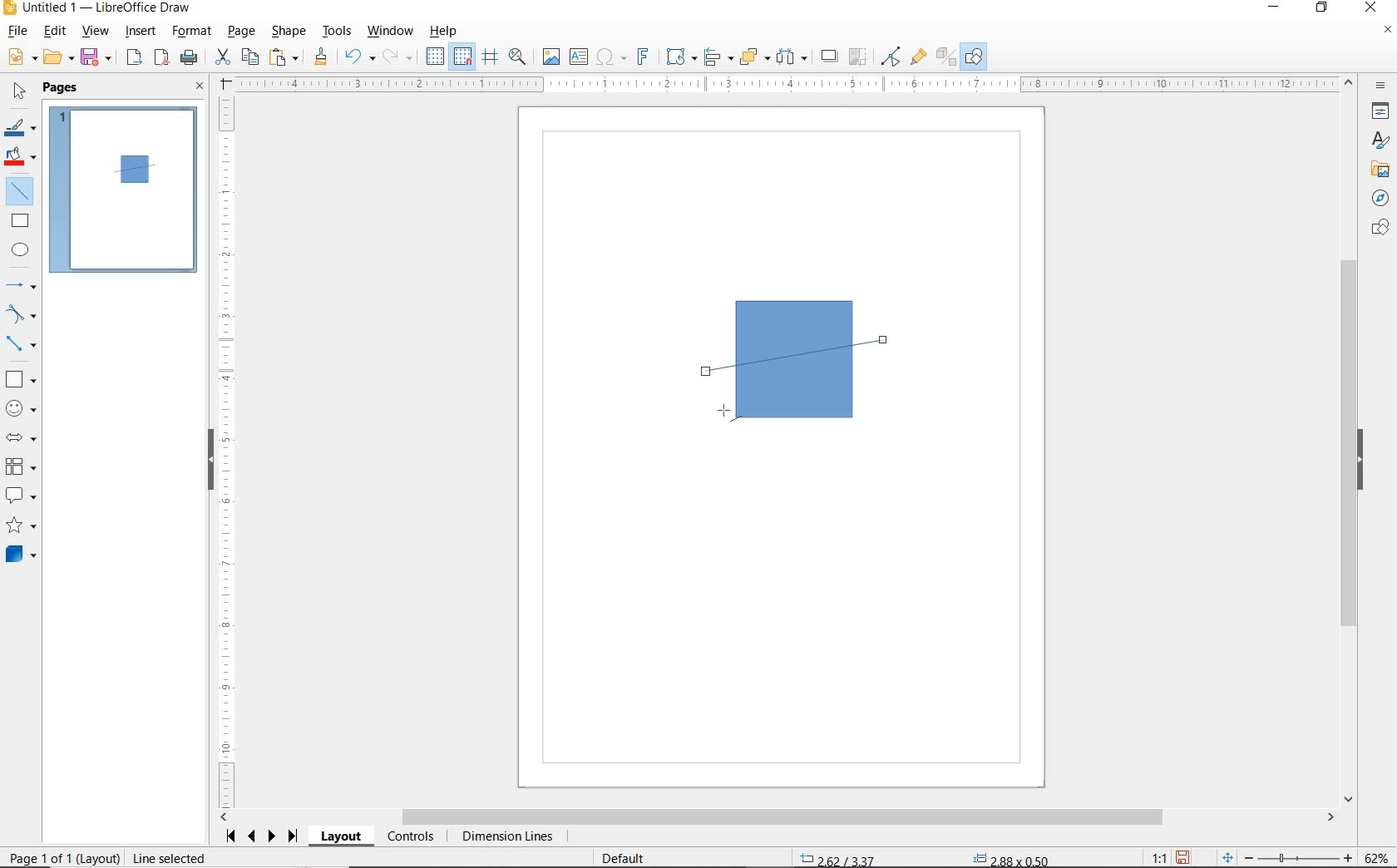  Describe the element at coordinates (1153, 854) in the screenshot. I see `SCALING FACTOR` at that location.